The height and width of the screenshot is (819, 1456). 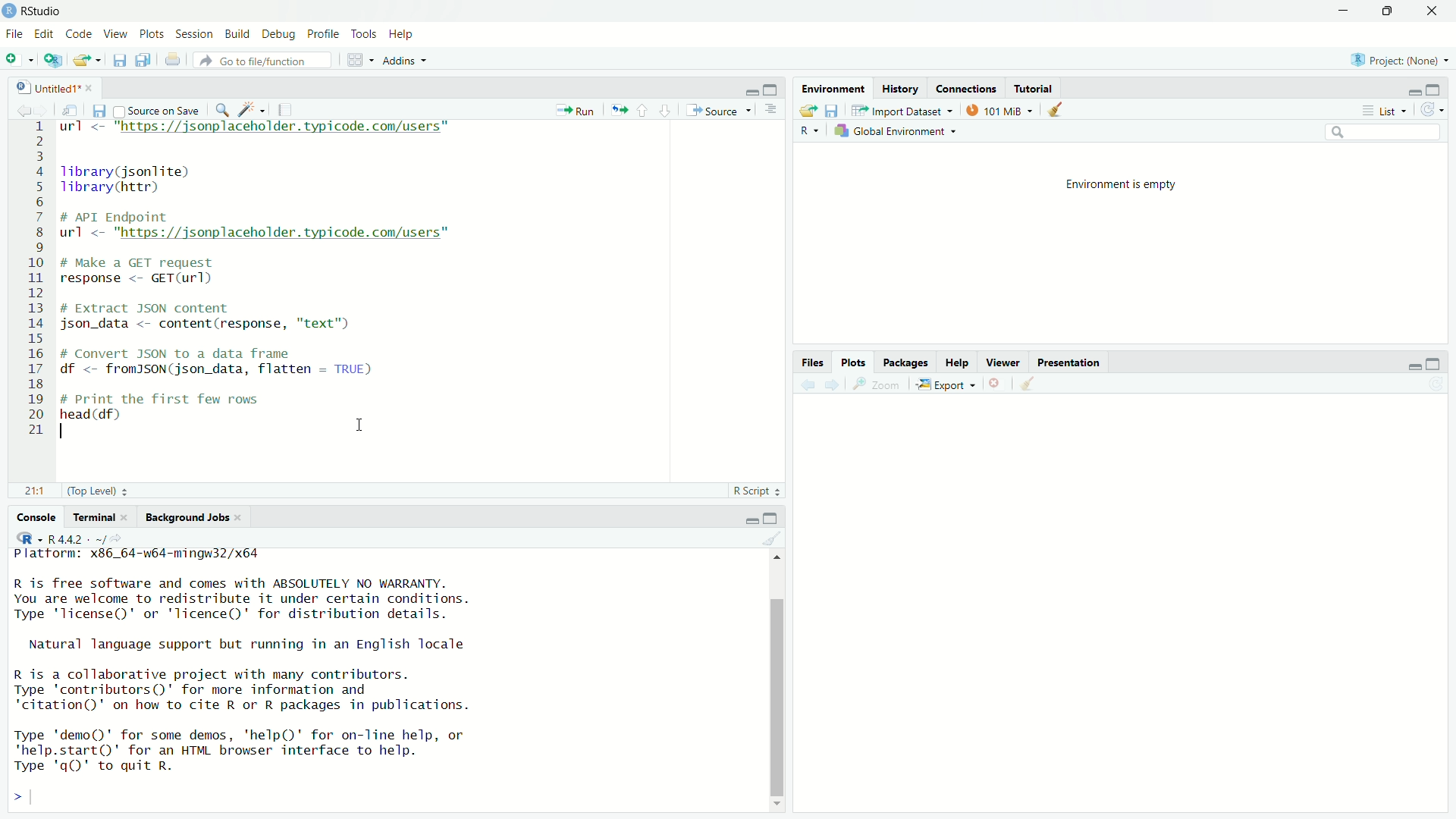 What do you see at coordinates (1034, 88) in the screenshot?
I see `Tutorial` at bounding box center [1034, 88].